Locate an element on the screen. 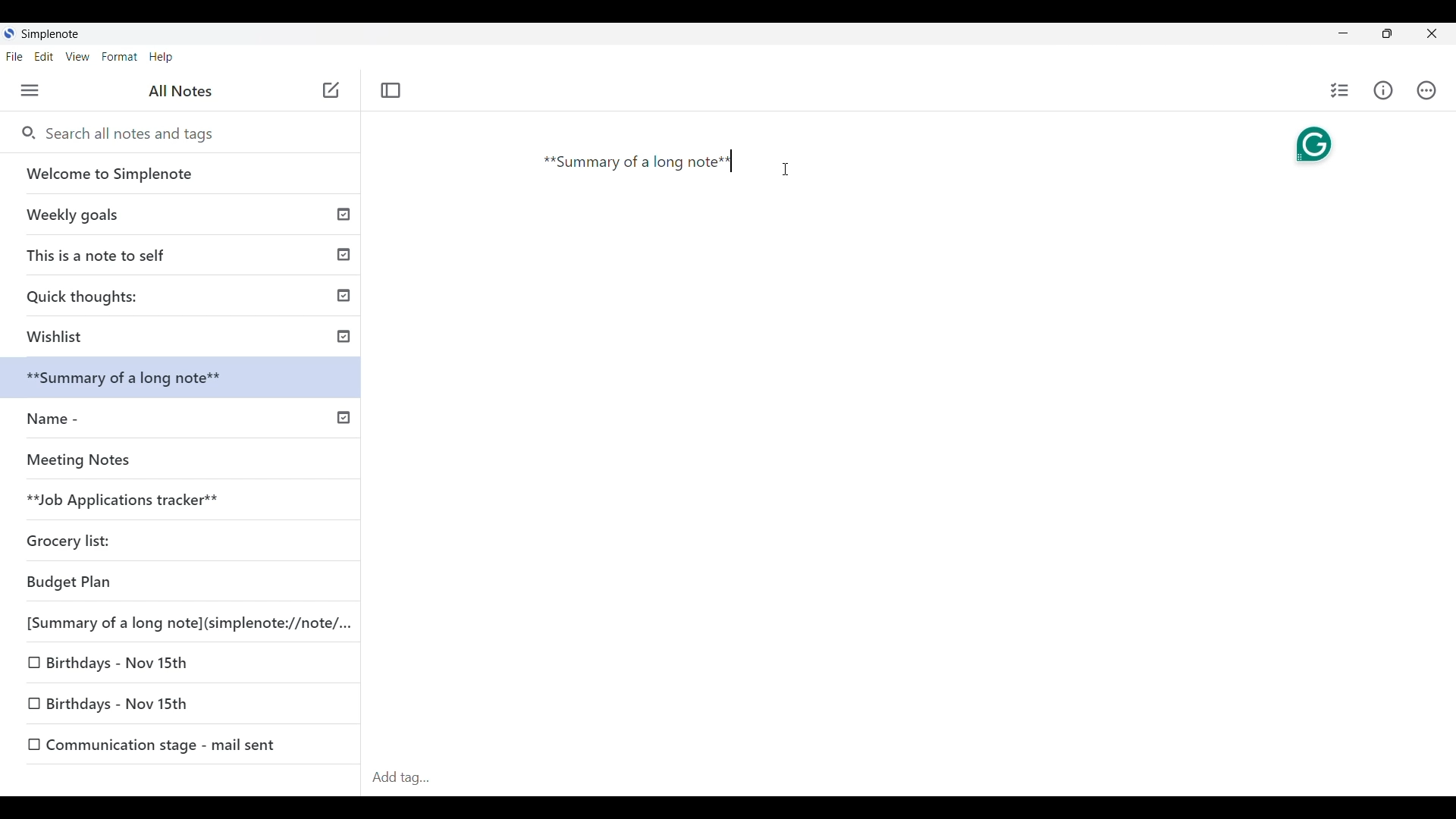 The width and height of the screenshot is (1456, 819). Add tag is located at coordinates (418, 777).